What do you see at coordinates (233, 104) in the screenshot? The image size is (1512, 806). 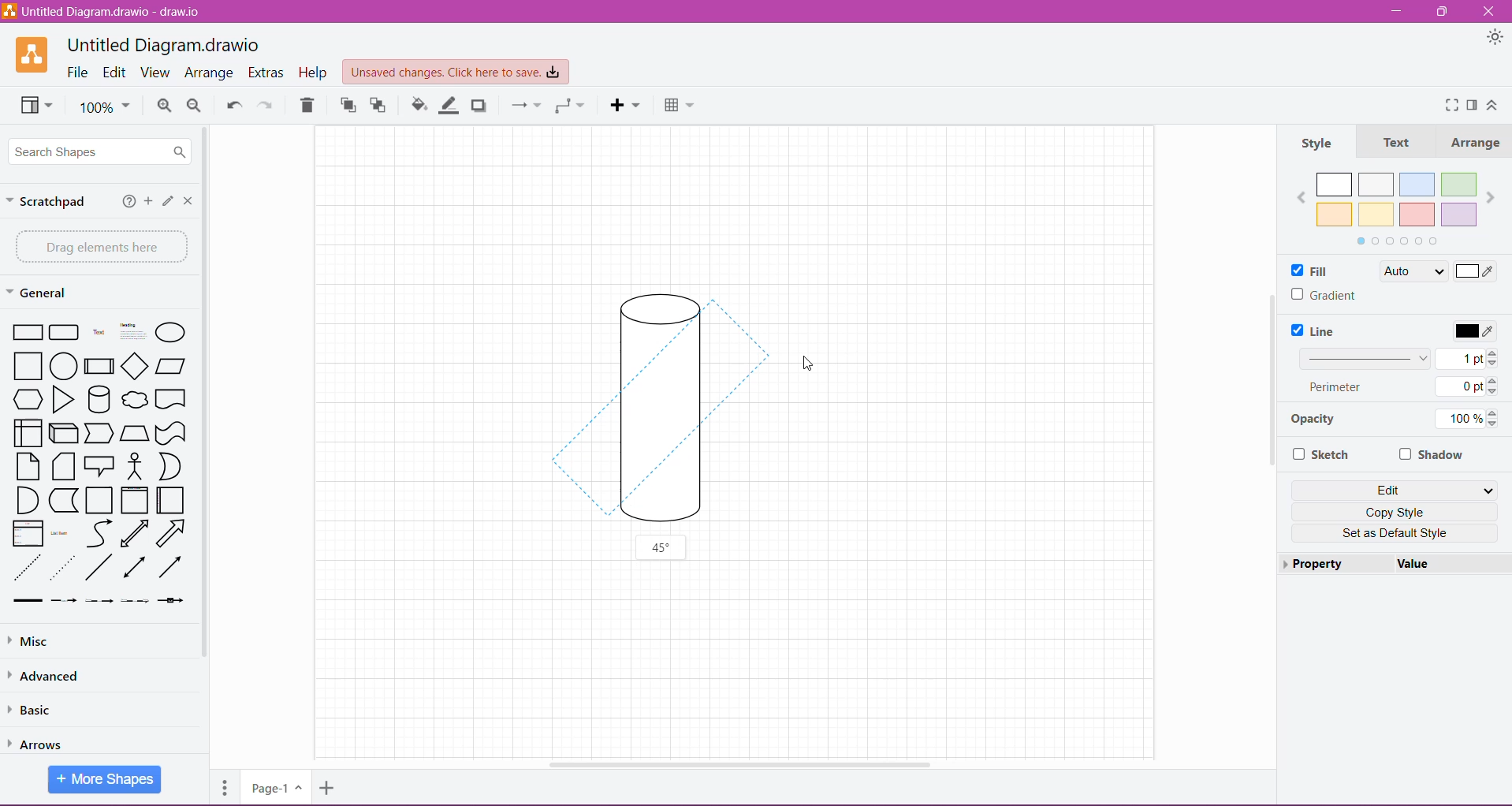 I see `Undo` at bounding box center [233, 104].